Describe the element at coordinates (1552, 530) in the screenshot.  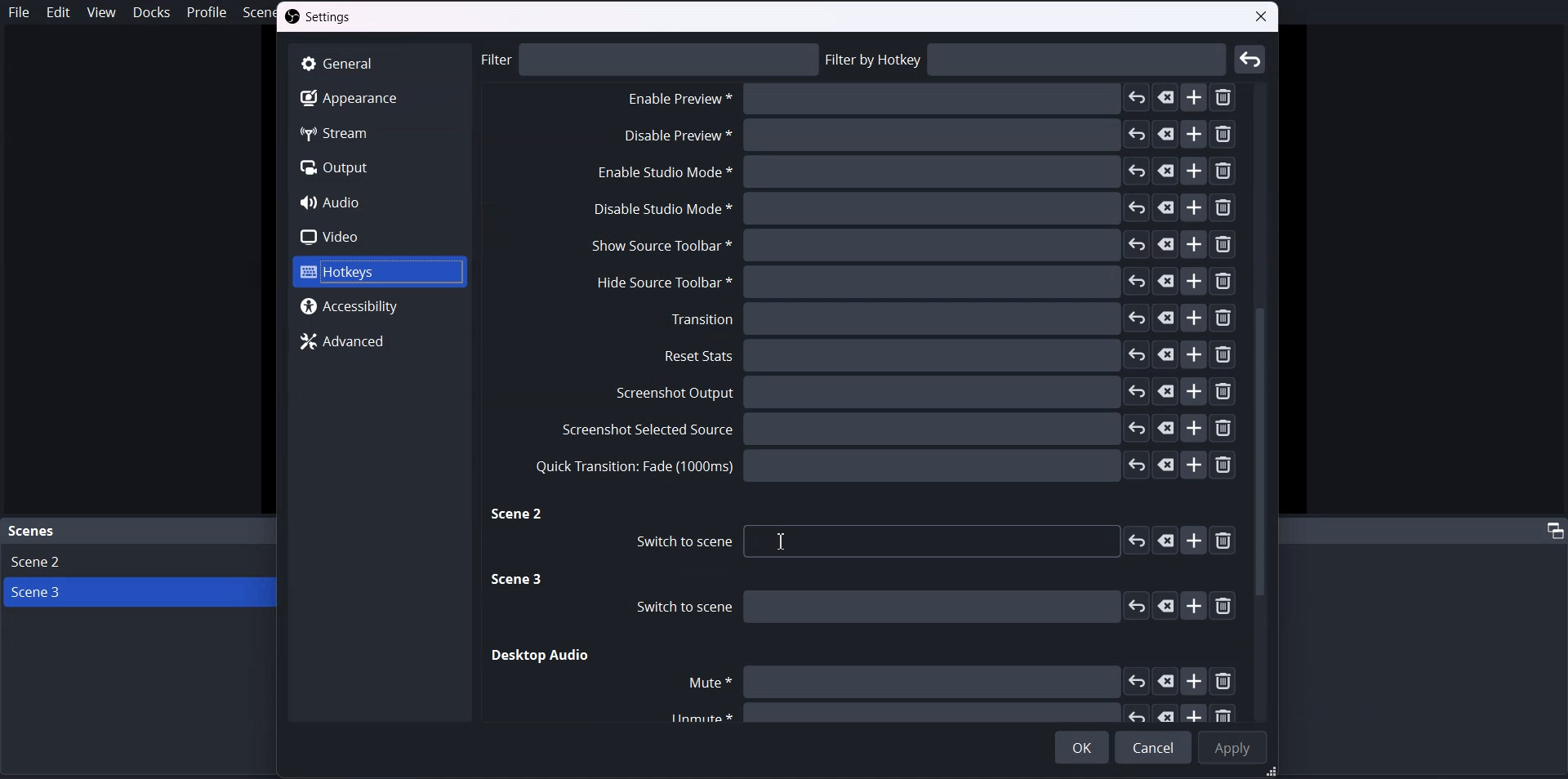
I see `adjust tab` at that location.